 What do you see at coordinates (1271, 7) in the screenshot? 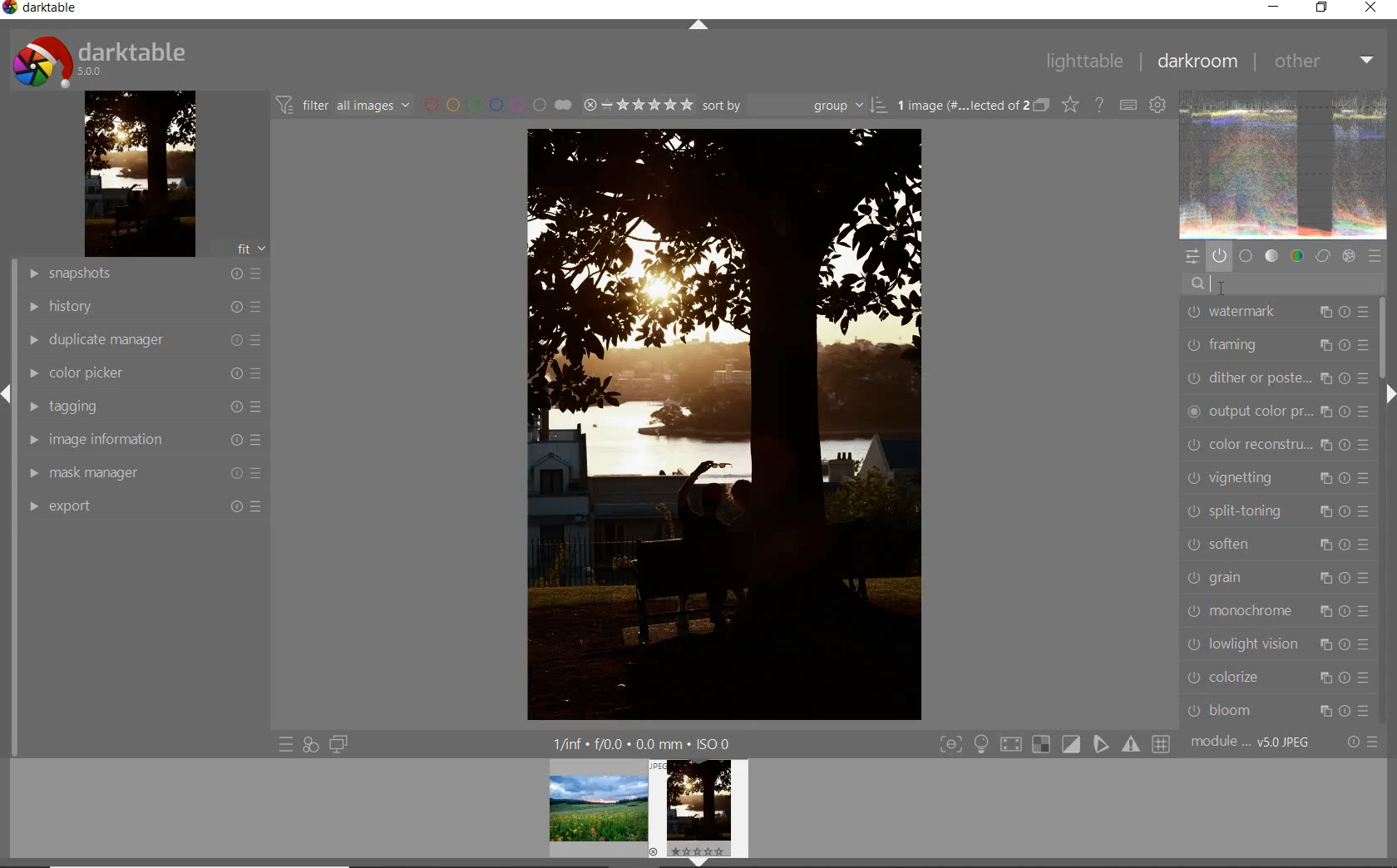
I see `minimize` at bounding box center [1271, 7].